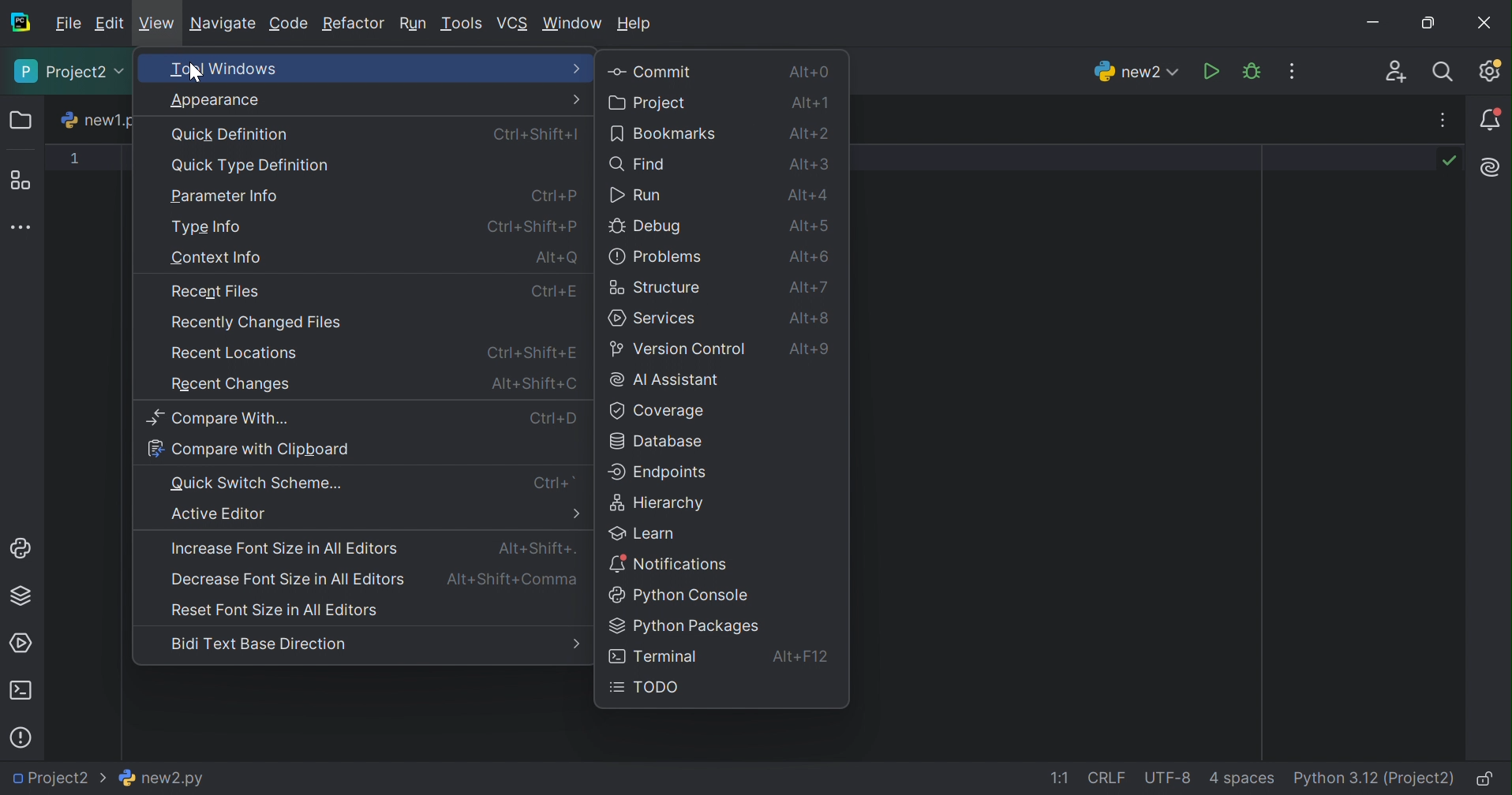  I want to click on Ctrl+D, so click(553, 417).